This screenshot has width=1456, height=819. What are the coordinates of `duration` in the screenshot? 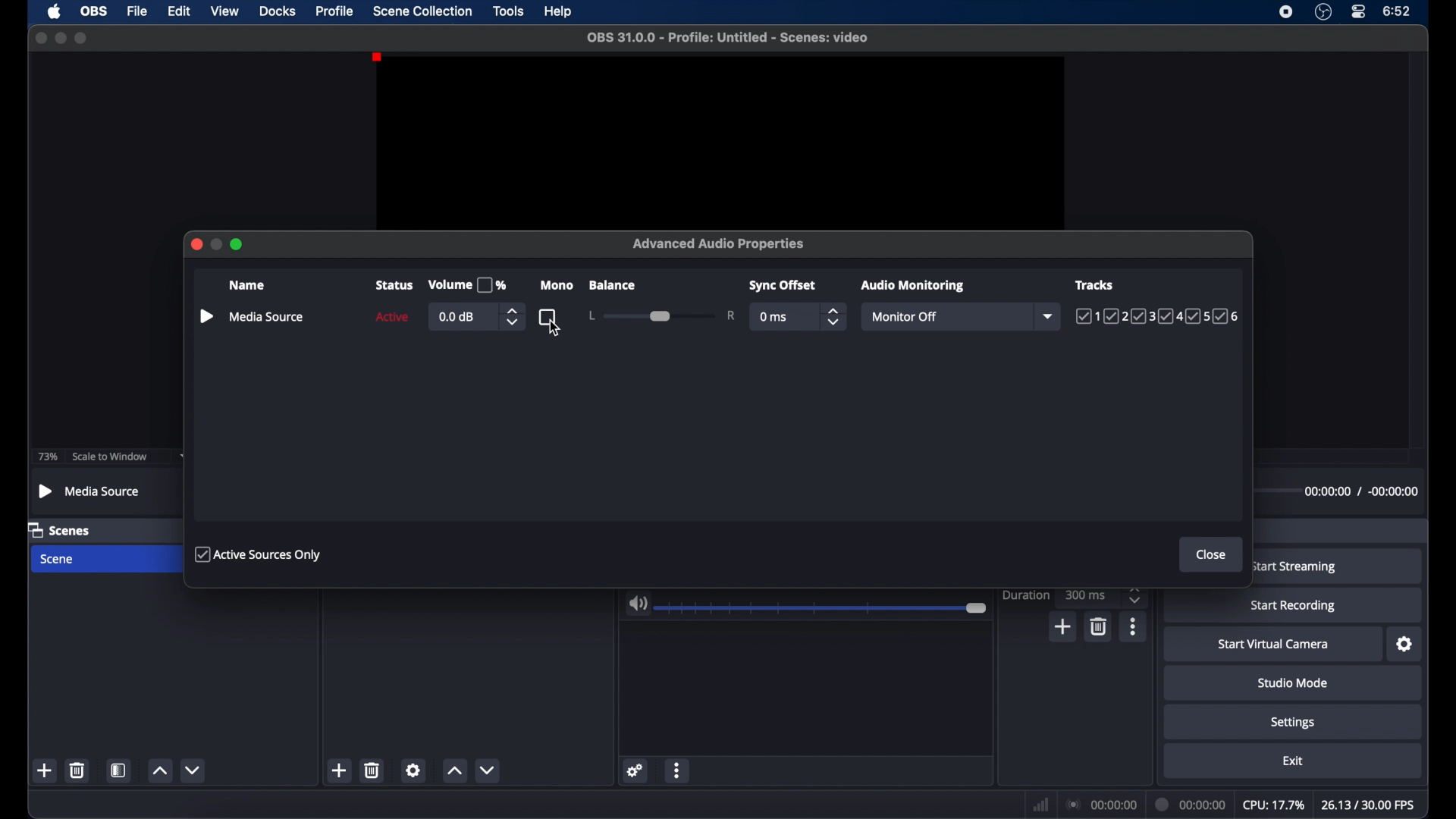 It's located at (1192, 803).